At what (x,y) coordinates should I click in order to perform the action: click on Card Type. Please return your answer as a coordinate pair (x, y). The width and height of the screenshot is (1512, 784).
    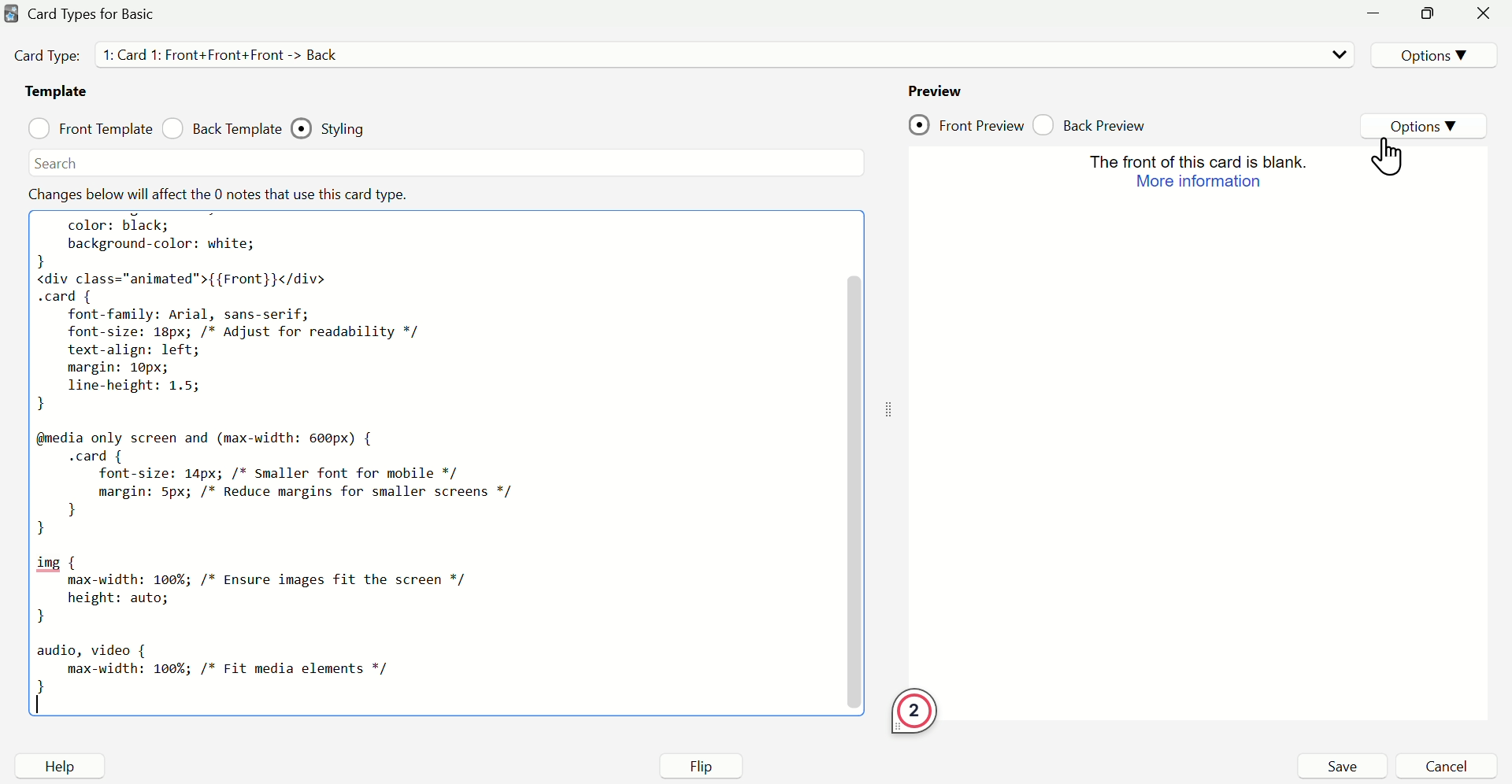
    Looking at the image, I should click on (98, 15).